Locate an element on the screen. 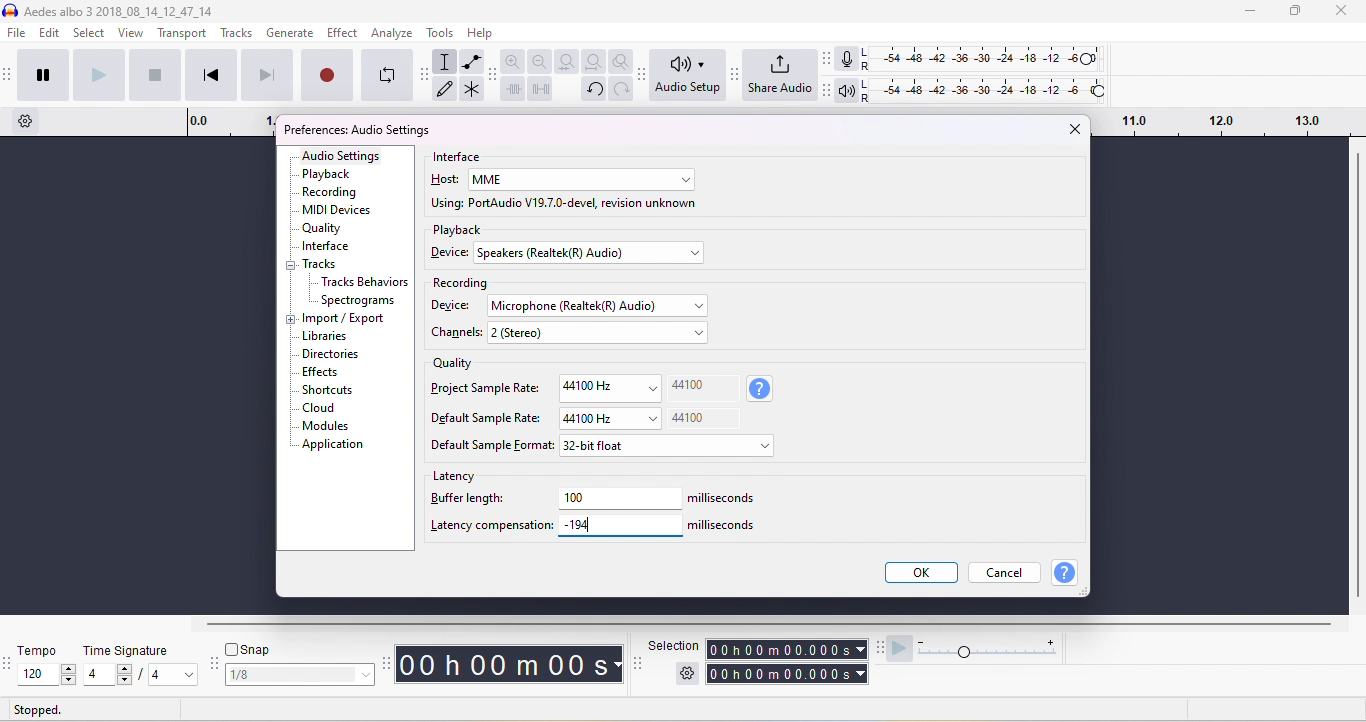  import/export is located at coordinates (346, 319).